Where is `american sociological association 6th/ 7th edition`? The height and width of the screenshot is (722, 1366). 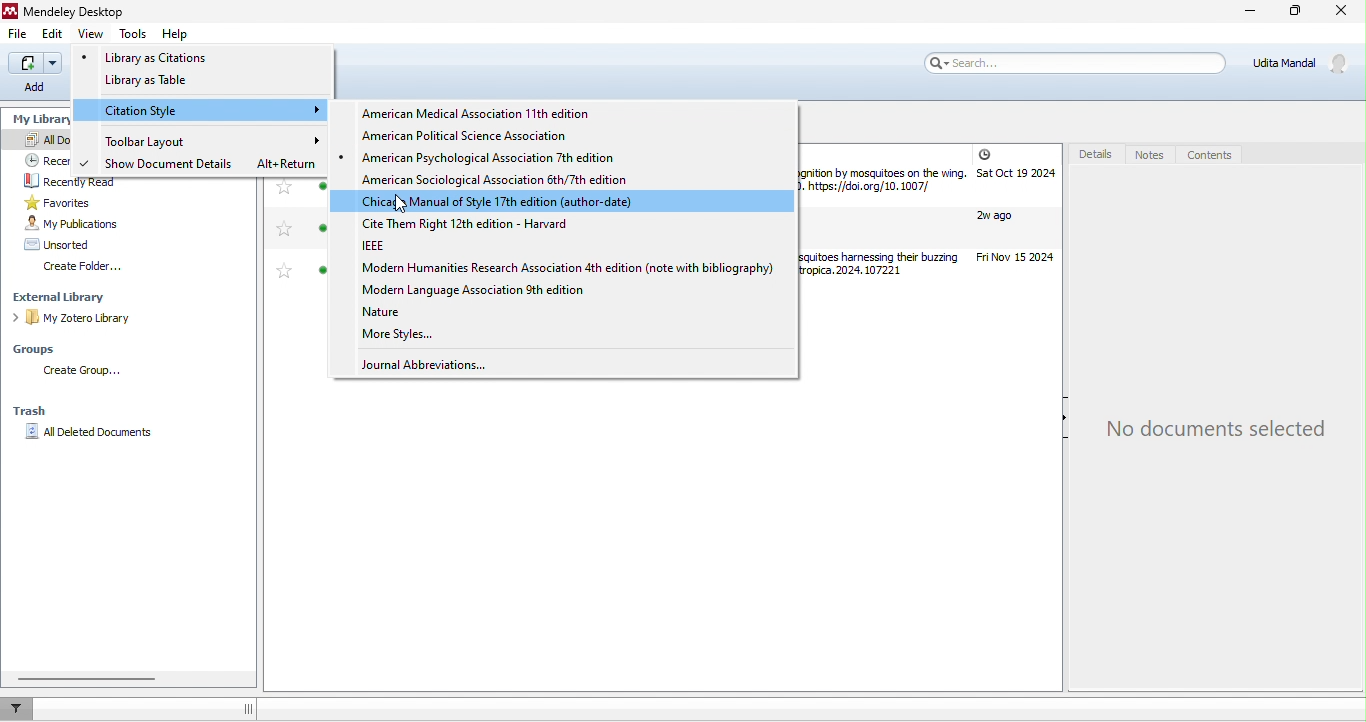 american sociological association 6th/ 7th edition is located at coordinates (513, 182).